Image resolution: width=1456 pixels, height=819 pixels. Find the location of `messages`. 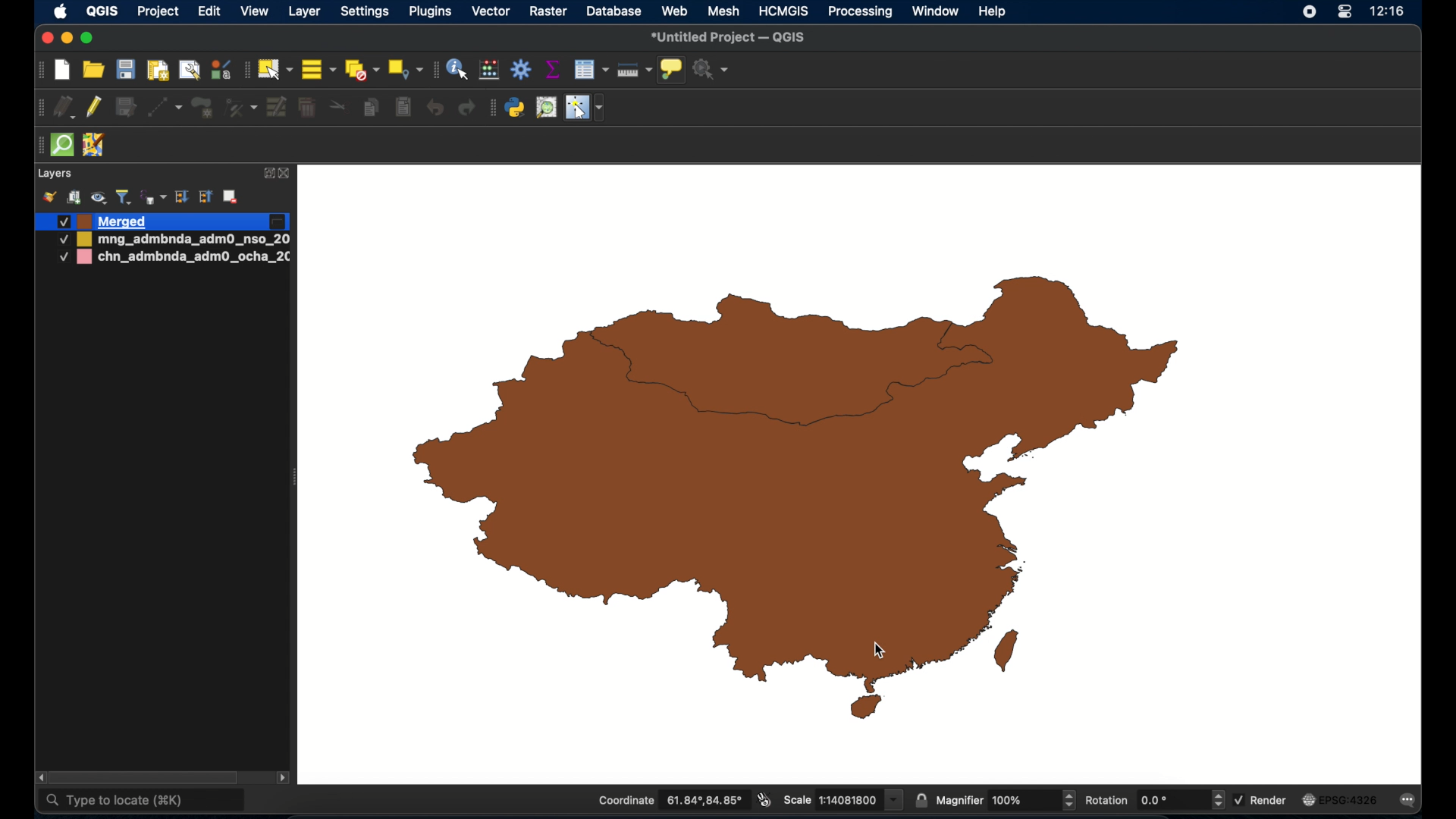

messages is located at coordinates (1410, 802).